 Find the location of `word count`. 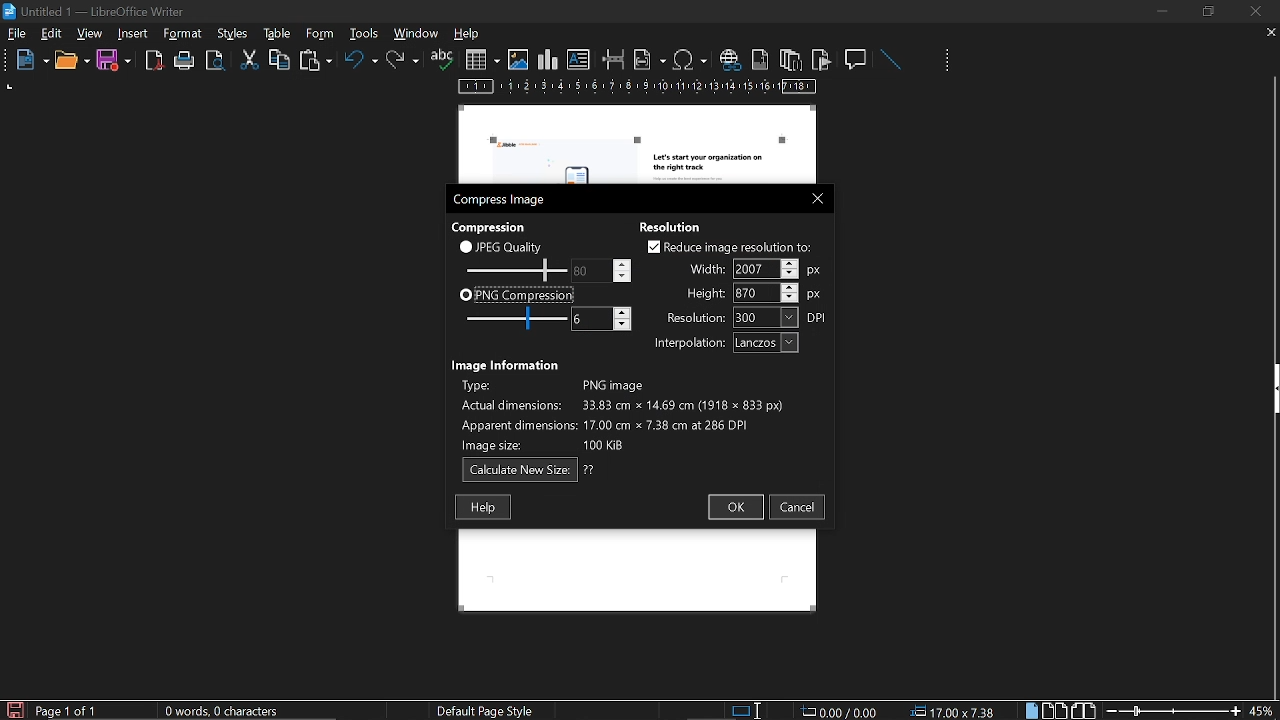

word count is located at coordinates (229, 711).